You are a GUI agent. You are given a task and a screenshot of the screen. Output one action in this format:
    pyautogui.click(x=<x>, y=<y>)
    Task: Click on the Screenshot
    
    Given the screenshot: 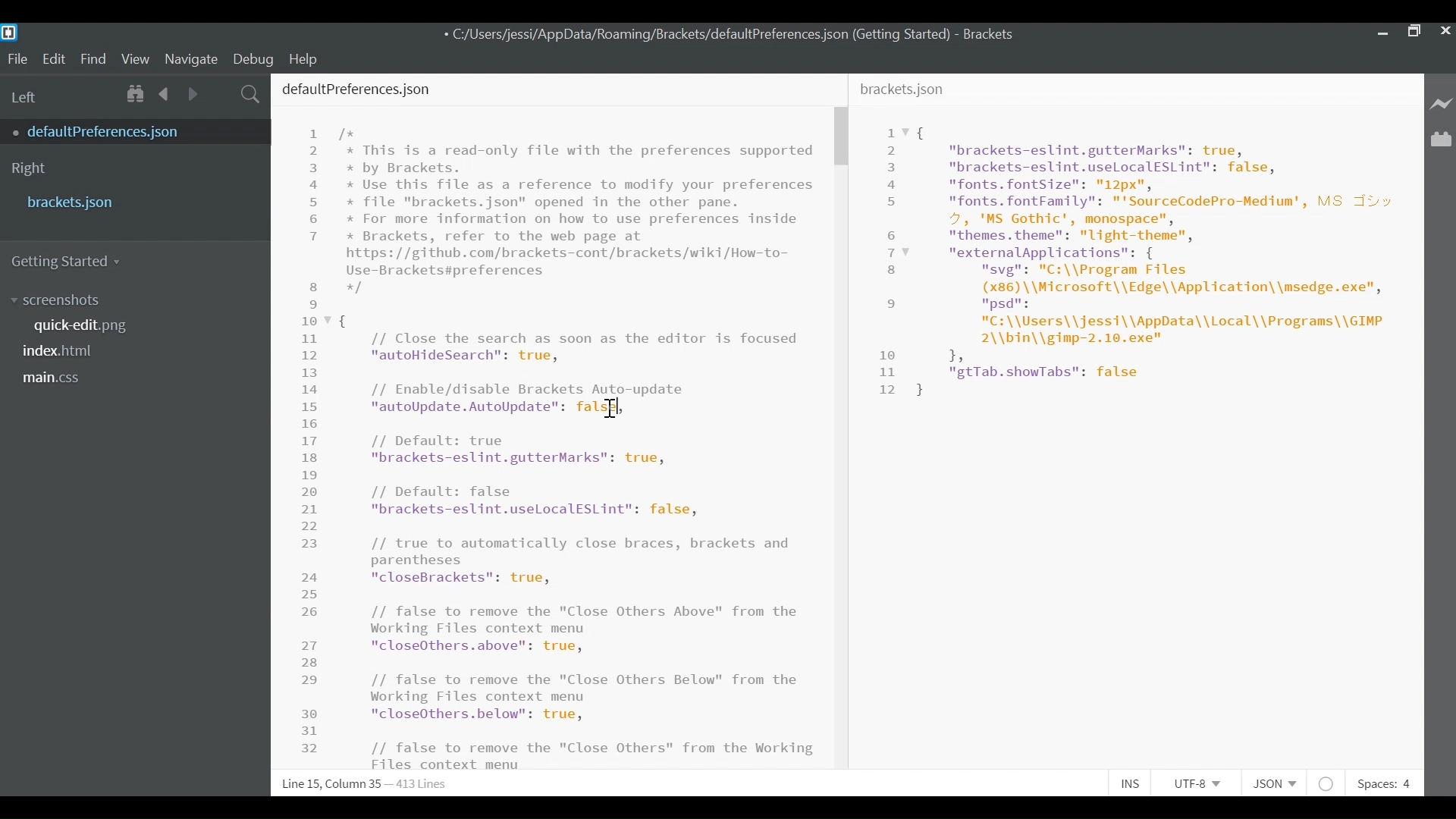 What is the action you would take?
    pyautogui.click(x=58, y=301)
    